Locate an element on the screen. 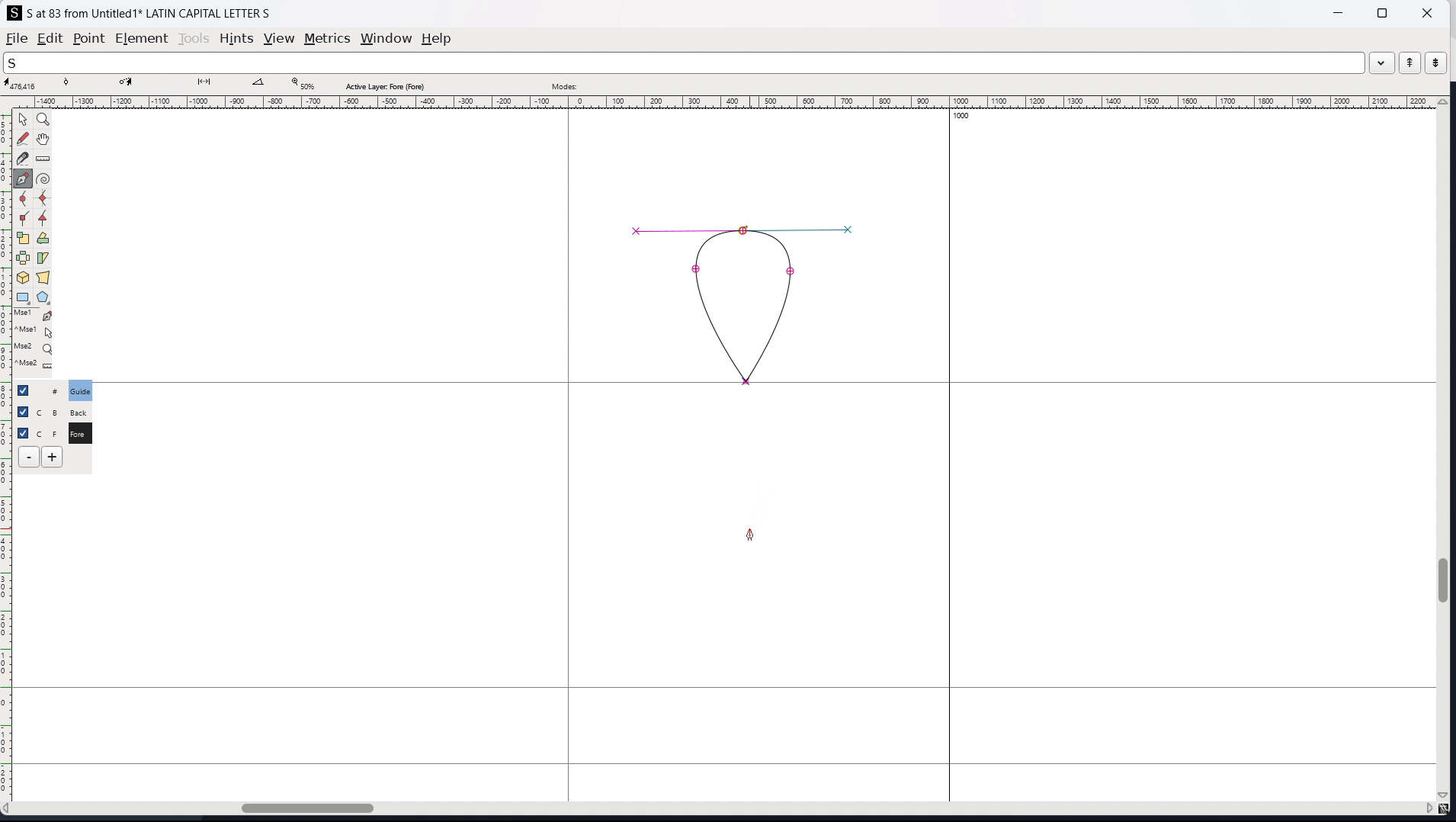  point is located at coordinates (88, 40).